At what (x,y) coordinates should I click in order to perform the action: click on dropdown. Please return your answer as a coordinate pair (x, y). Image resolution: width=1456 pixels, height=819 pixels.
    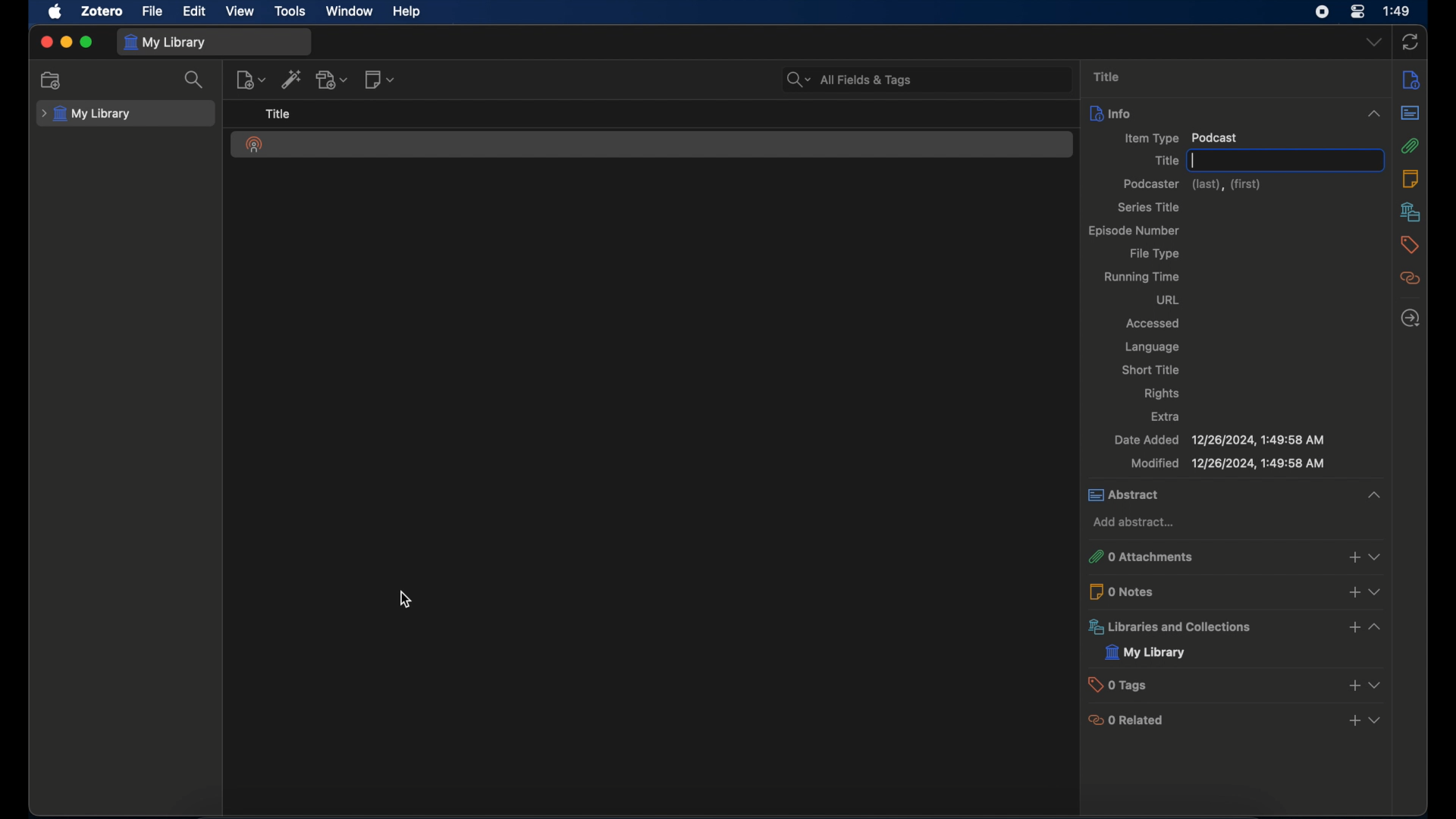
    Looking at the image, I should click on (1375, 42).